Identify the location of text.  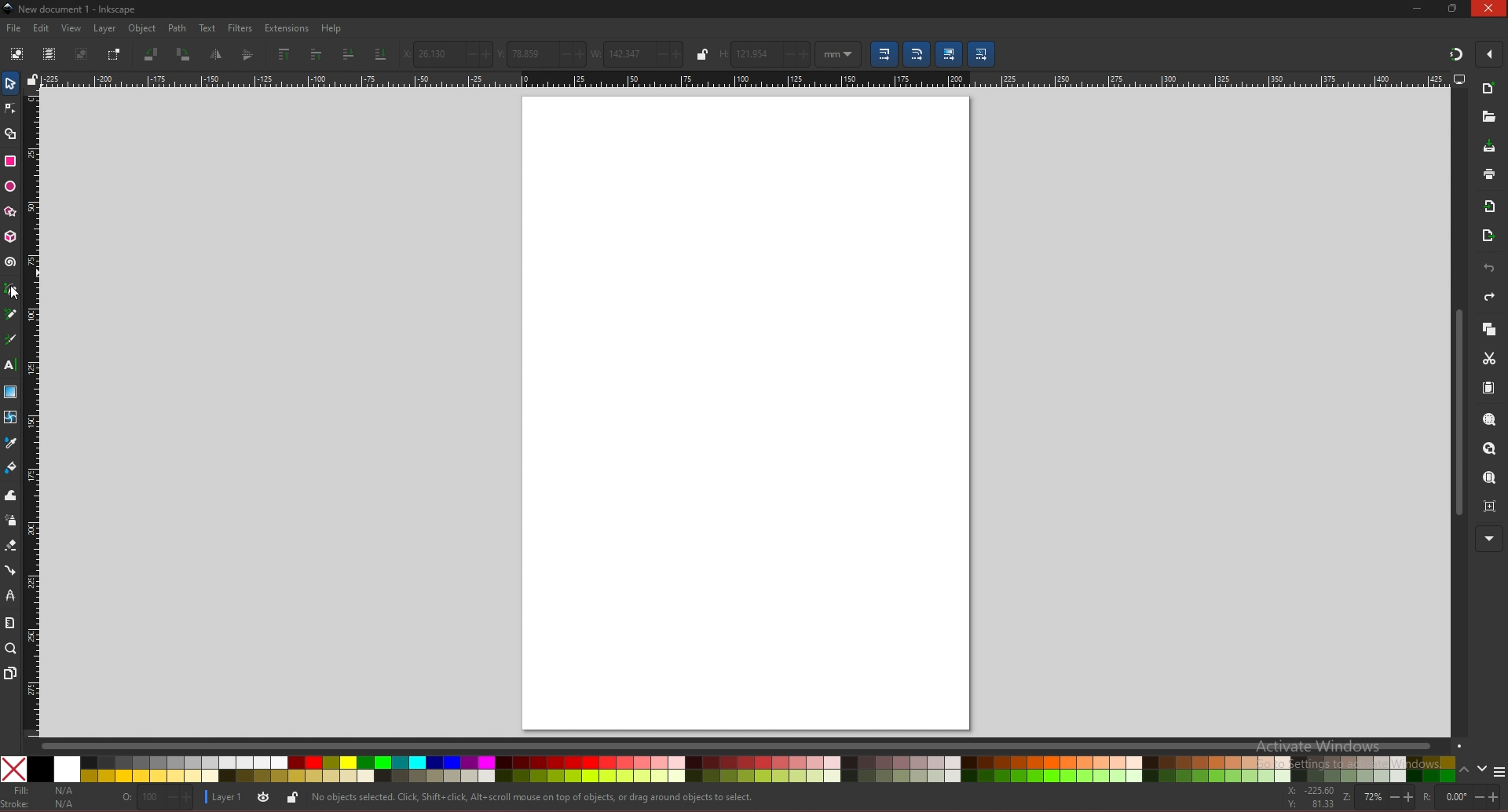
(207, 28).